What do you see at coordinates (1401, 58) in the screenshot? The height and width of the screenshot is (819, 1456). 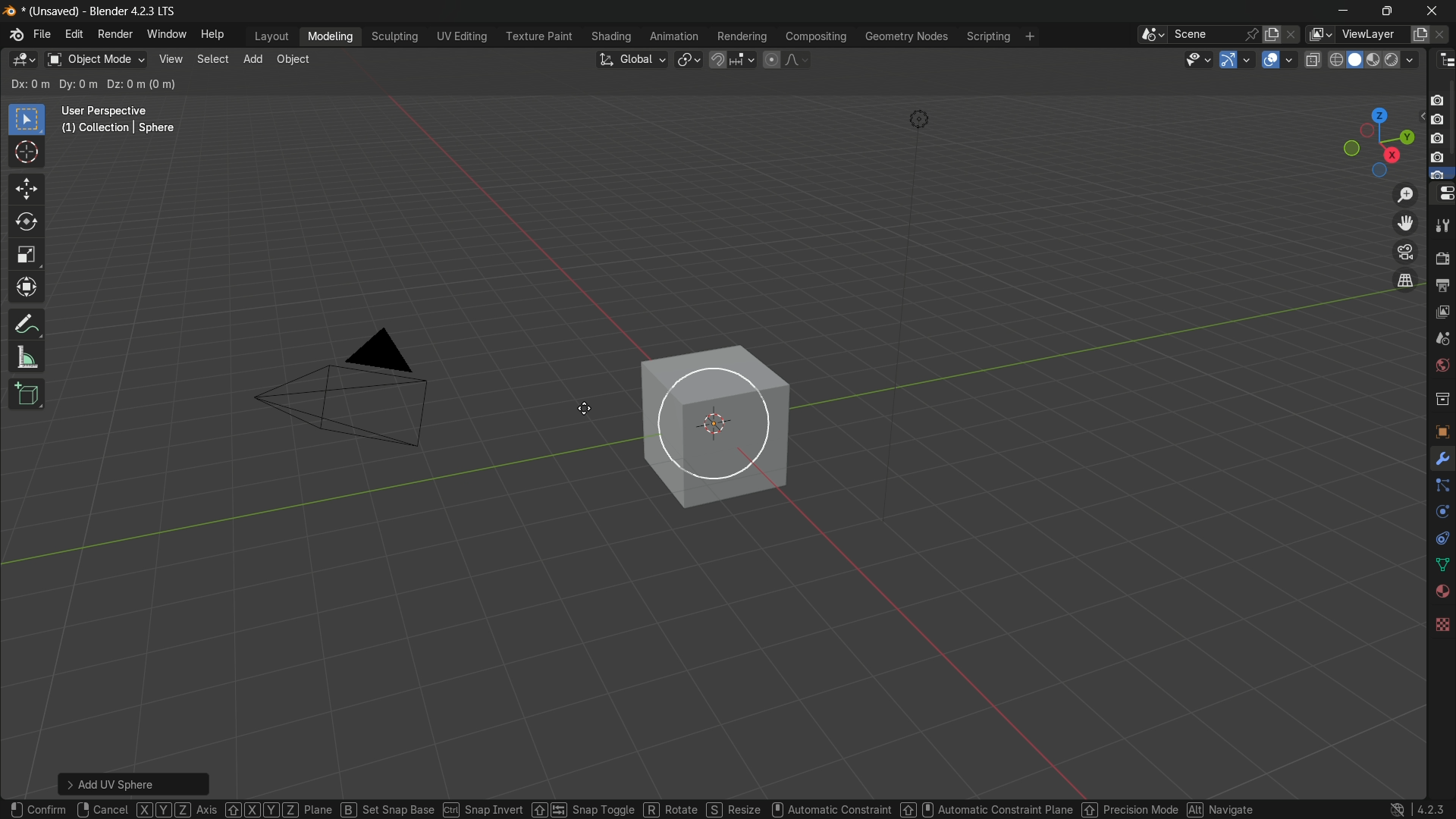 I see `render display` at bounding box center [1401, 58].